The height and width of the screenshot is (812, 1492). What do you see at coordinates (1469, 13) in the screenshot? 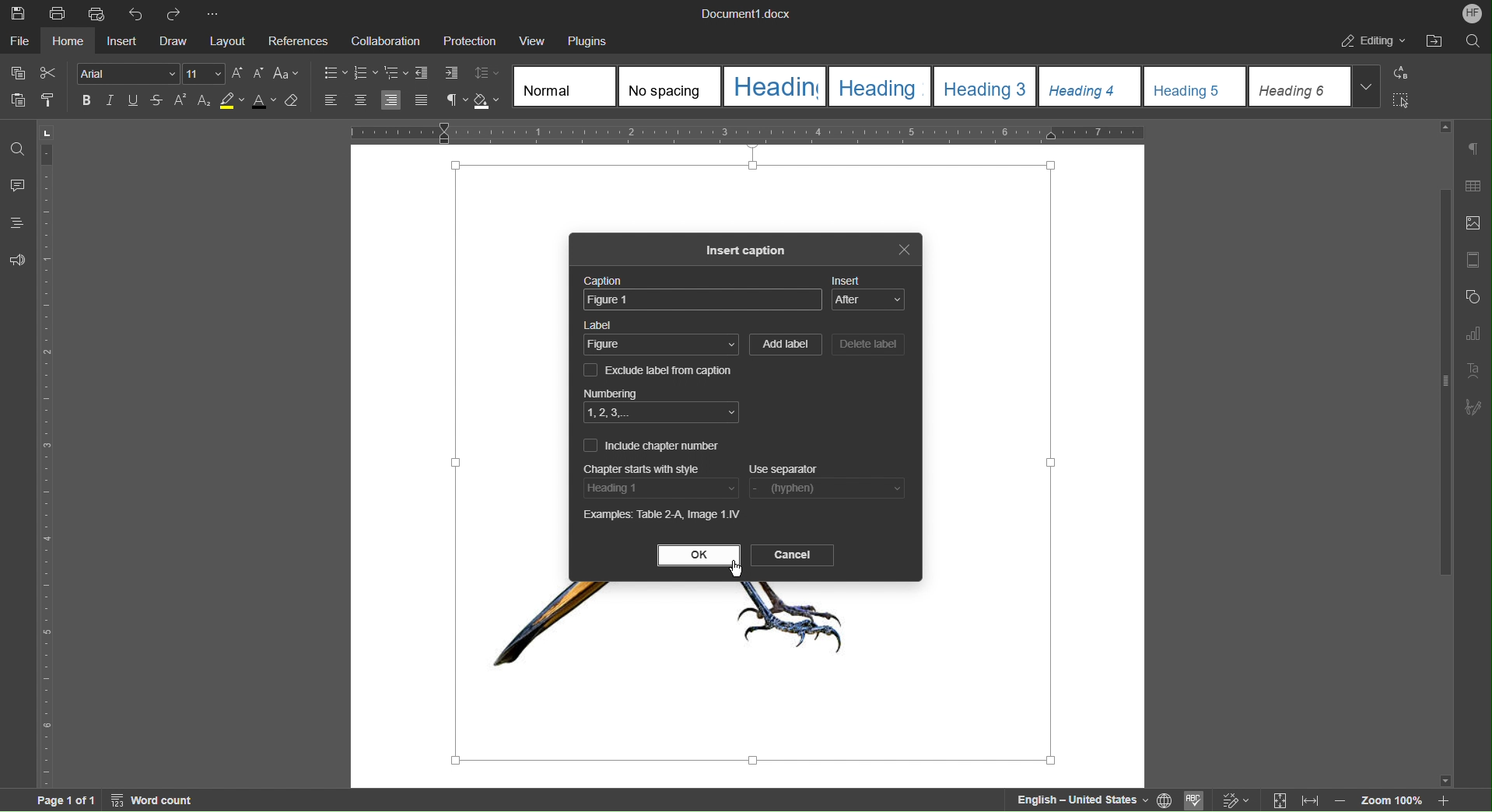
I see `Account` at bounding box center [1469, 13].